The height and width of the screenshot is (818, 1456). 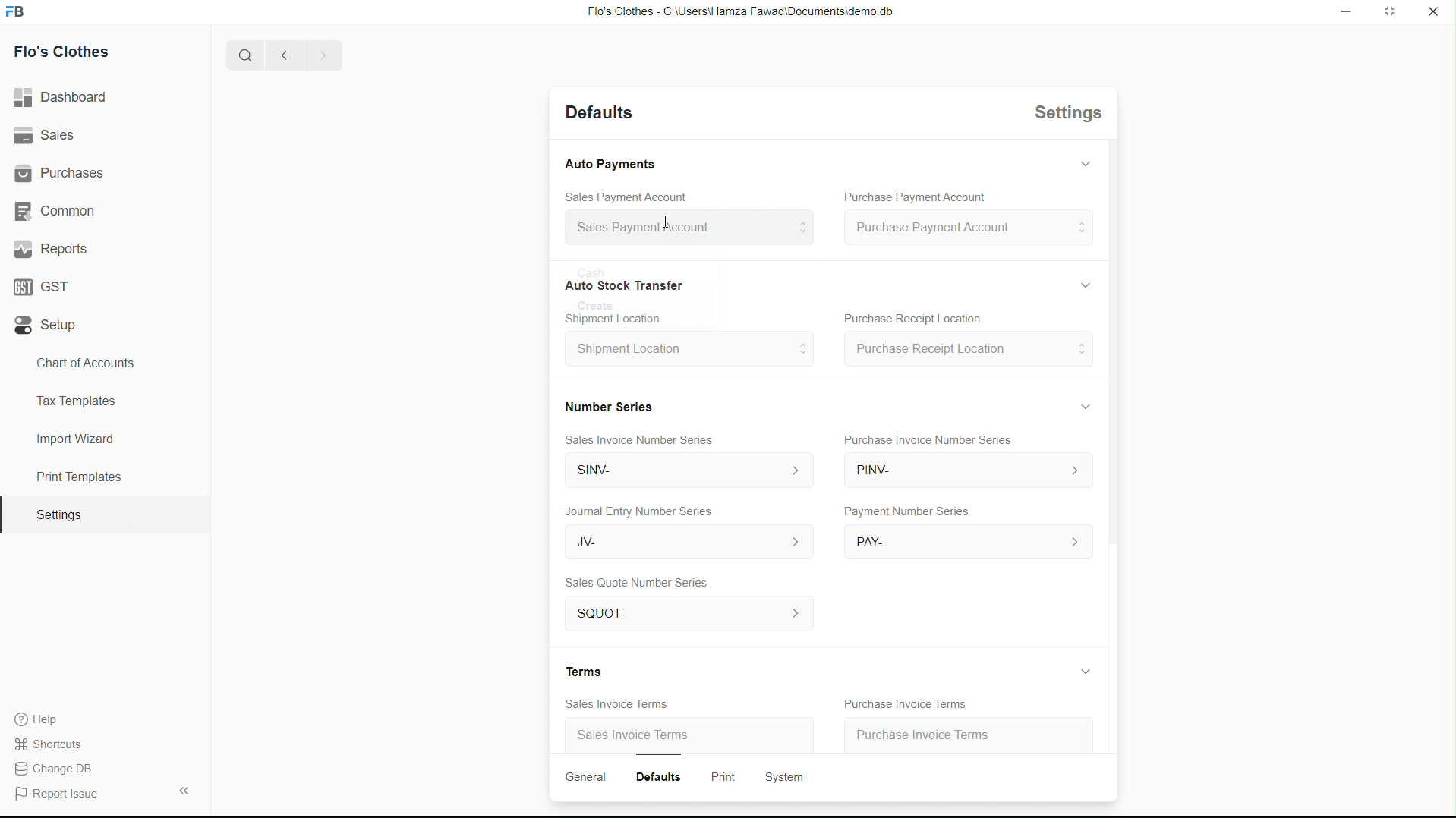 I want to click on Back, so click(x=279, y=56).